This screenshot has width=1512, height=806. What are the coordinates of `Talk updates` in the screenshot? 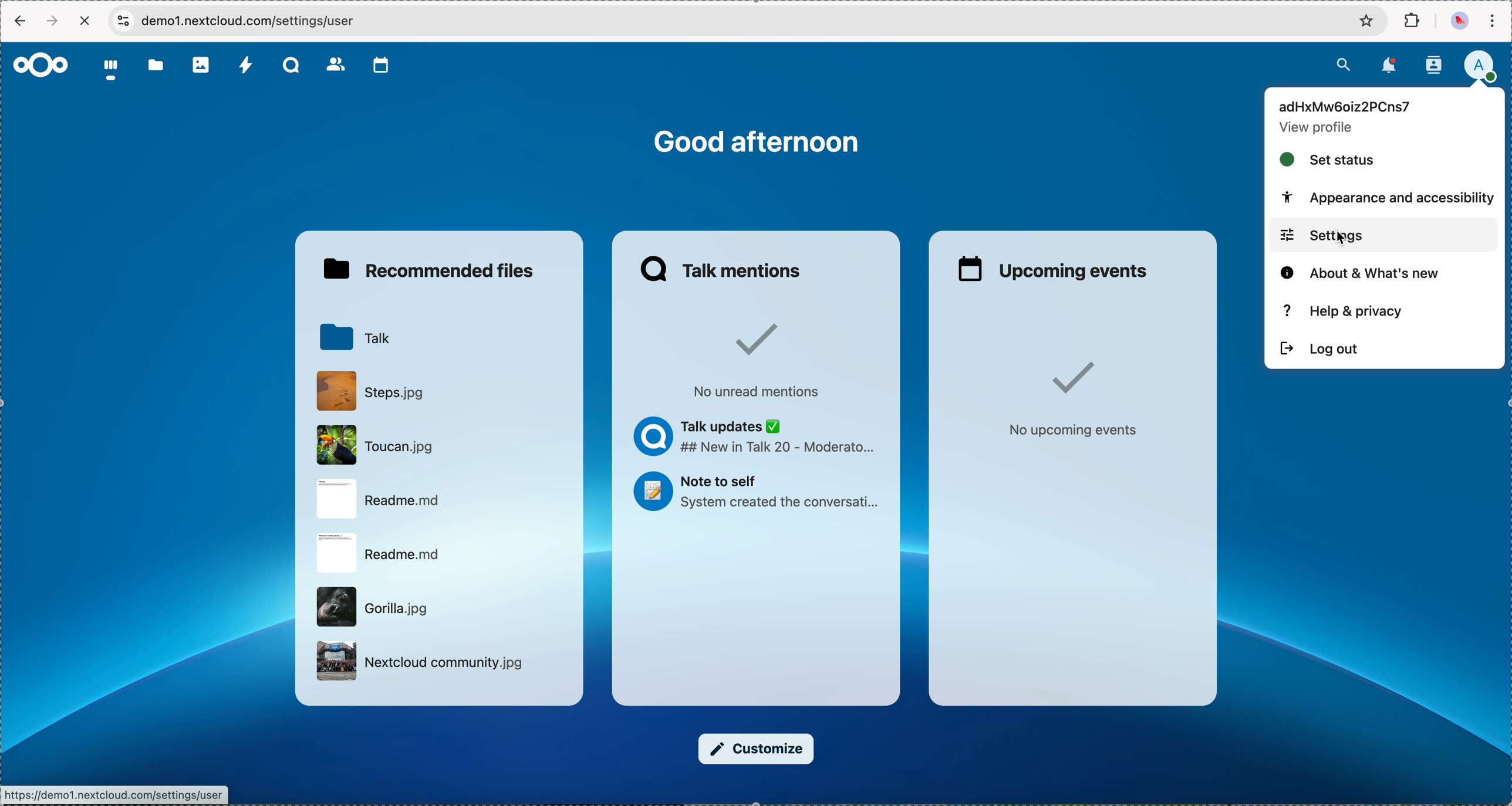 It's located at (757, 439).